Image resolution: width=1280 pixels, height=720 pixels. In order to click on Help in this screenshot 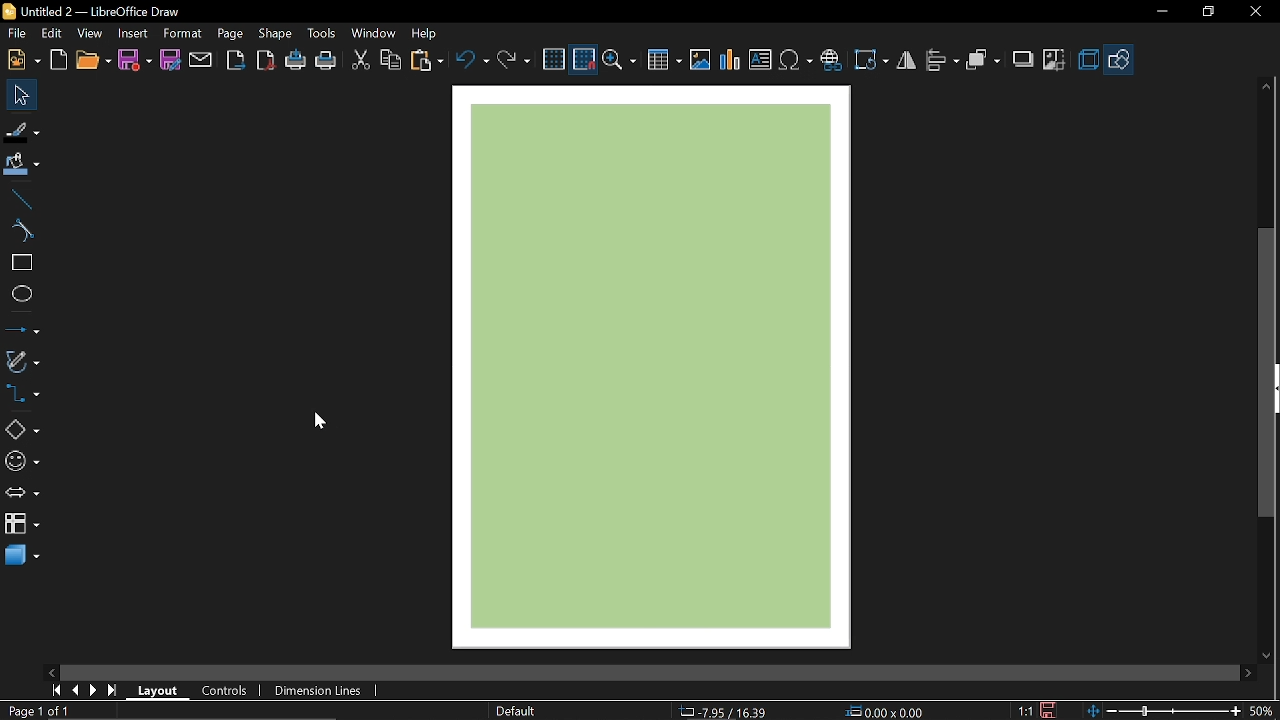, I will do `click(426, 33)`.